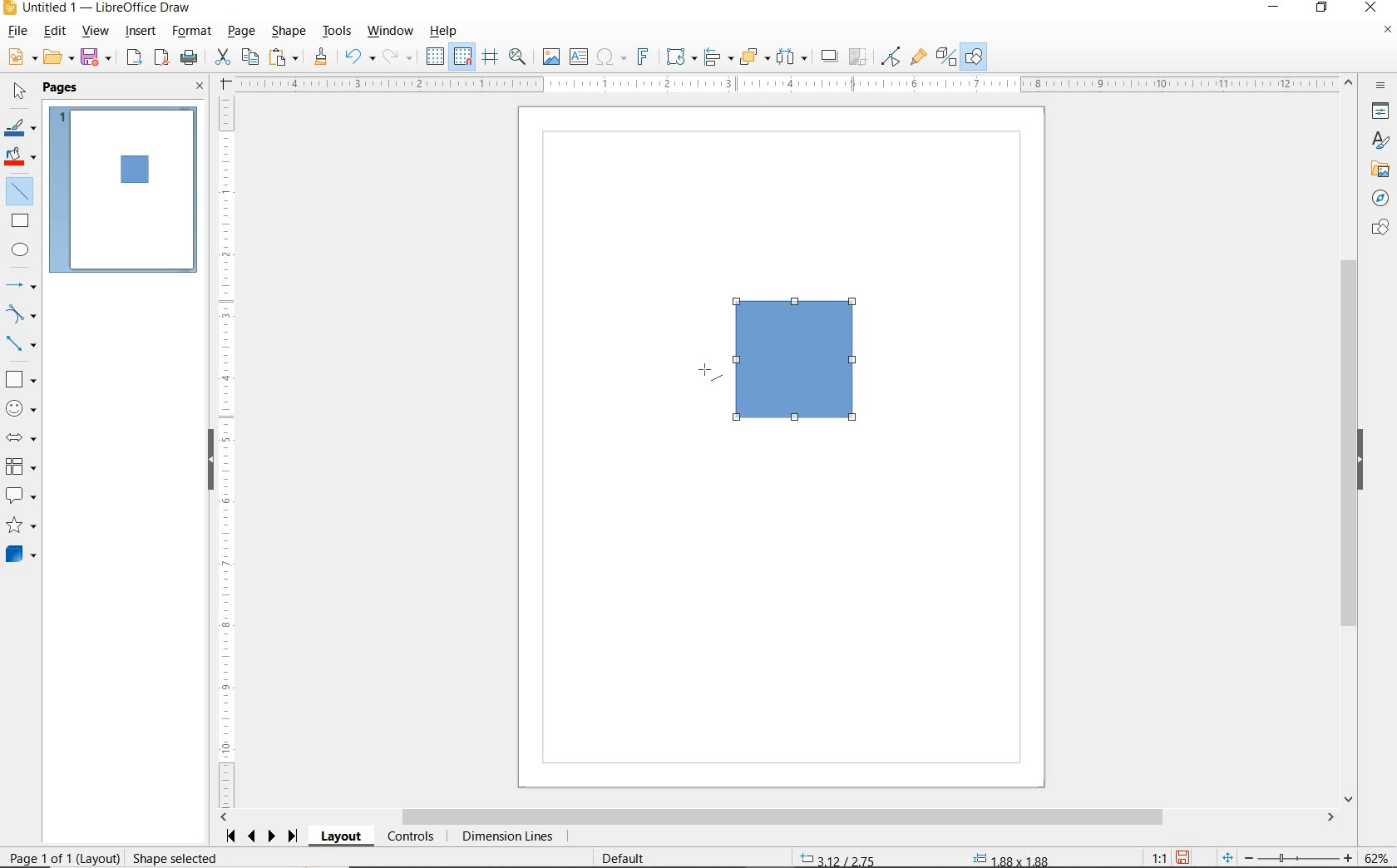  I want to click on 3D SHAPES, so click(21, 555).